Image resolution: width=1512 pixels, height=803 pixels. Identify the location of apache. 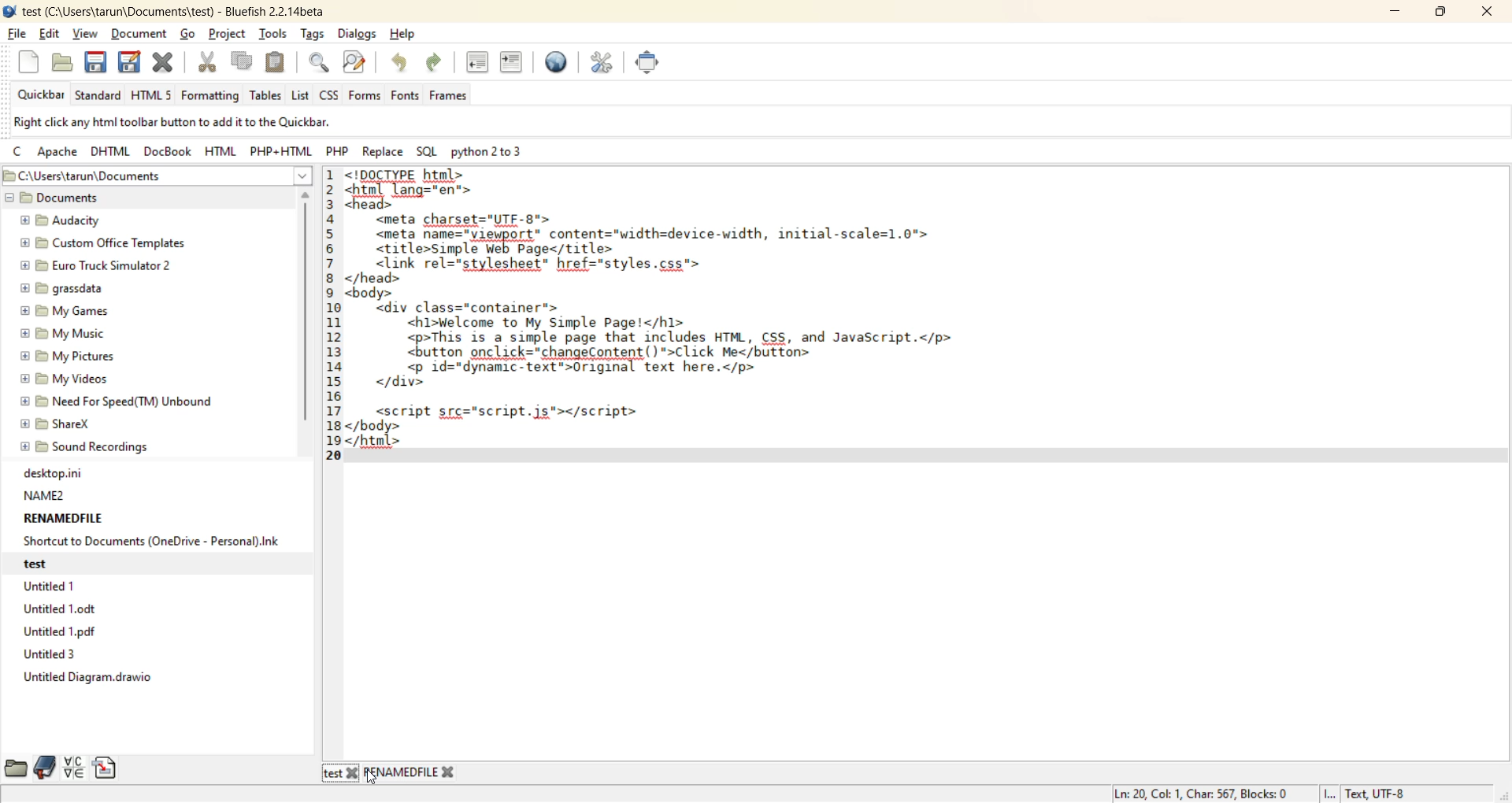
(56, 154).